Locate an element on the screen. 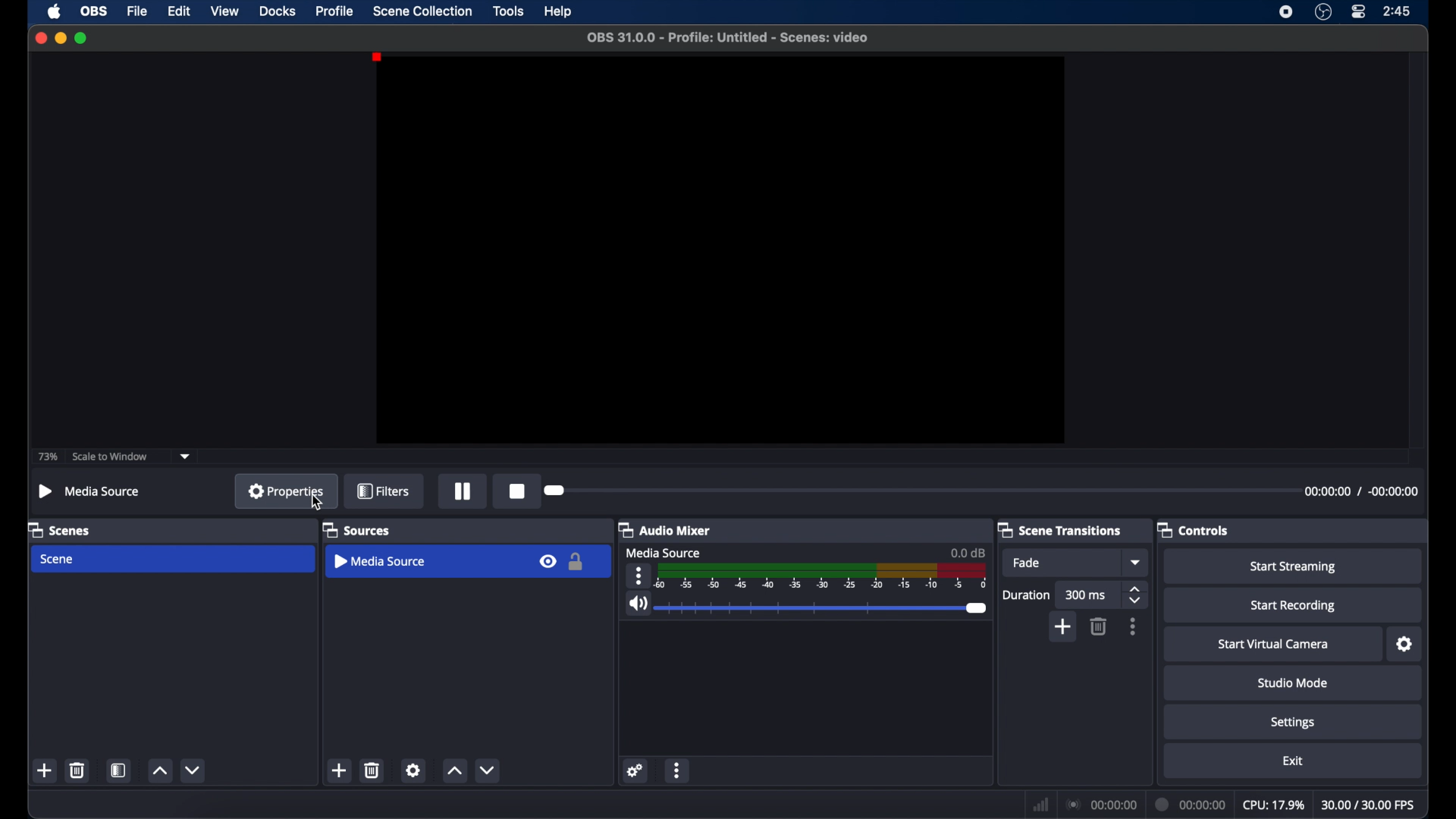 This screenshot has width=1456, height=819. visibility icon is located at coordinates (546, 560).